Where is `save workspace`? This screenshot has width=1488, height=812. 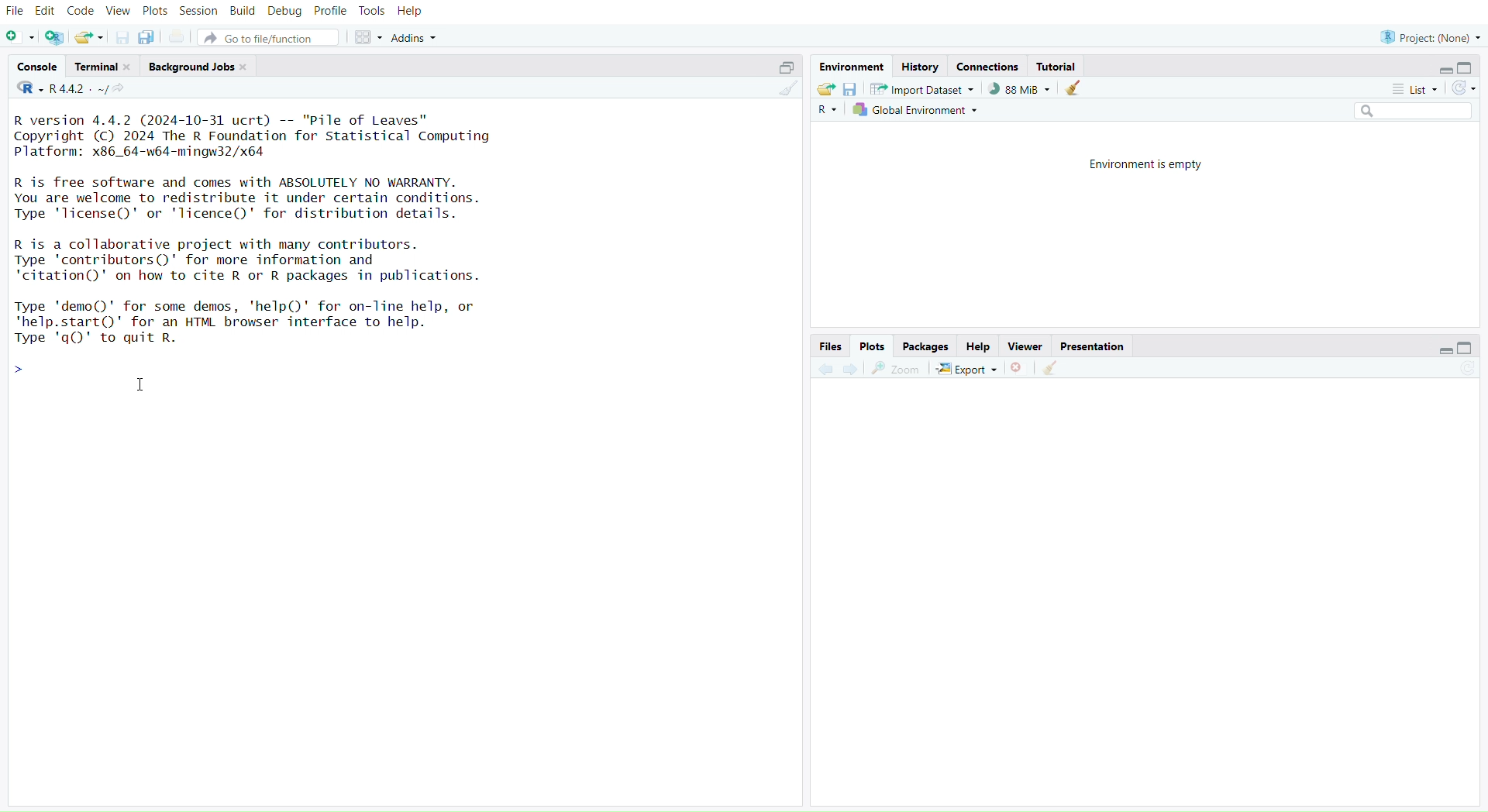
save workspace is located at coordinates (850, 91).